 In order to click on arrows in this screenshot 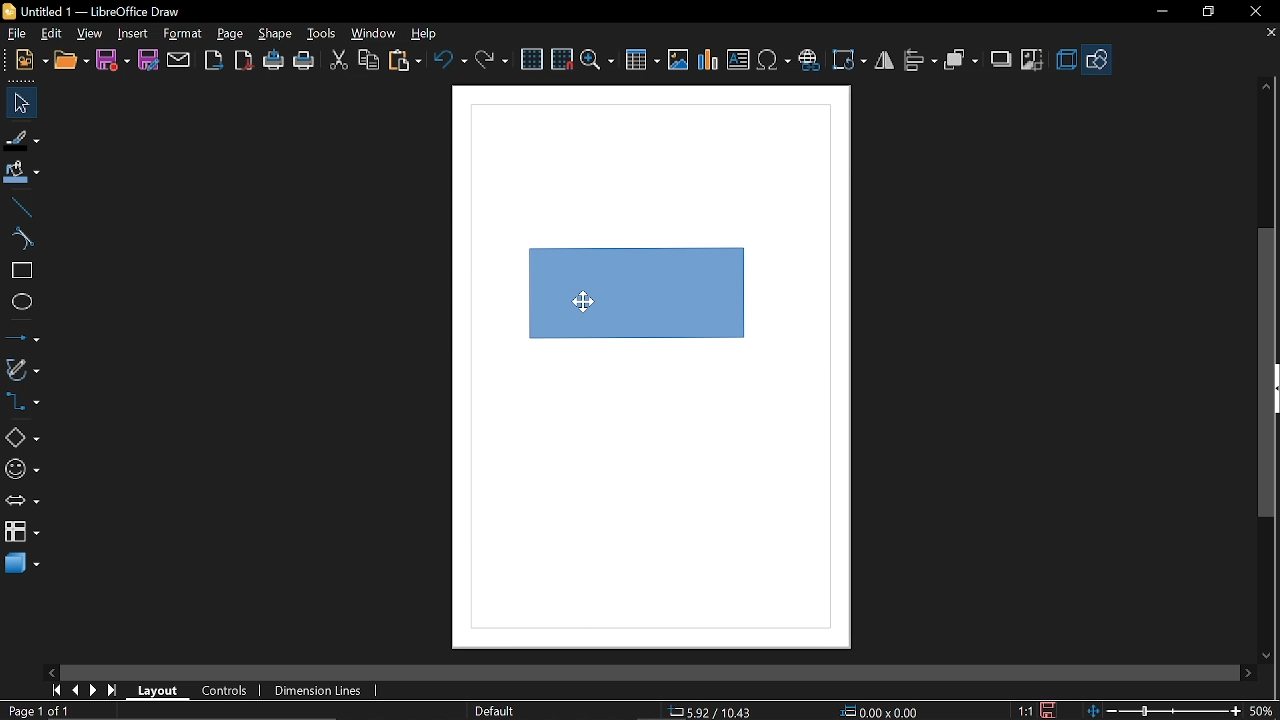, I will do `click(22, 503)`.